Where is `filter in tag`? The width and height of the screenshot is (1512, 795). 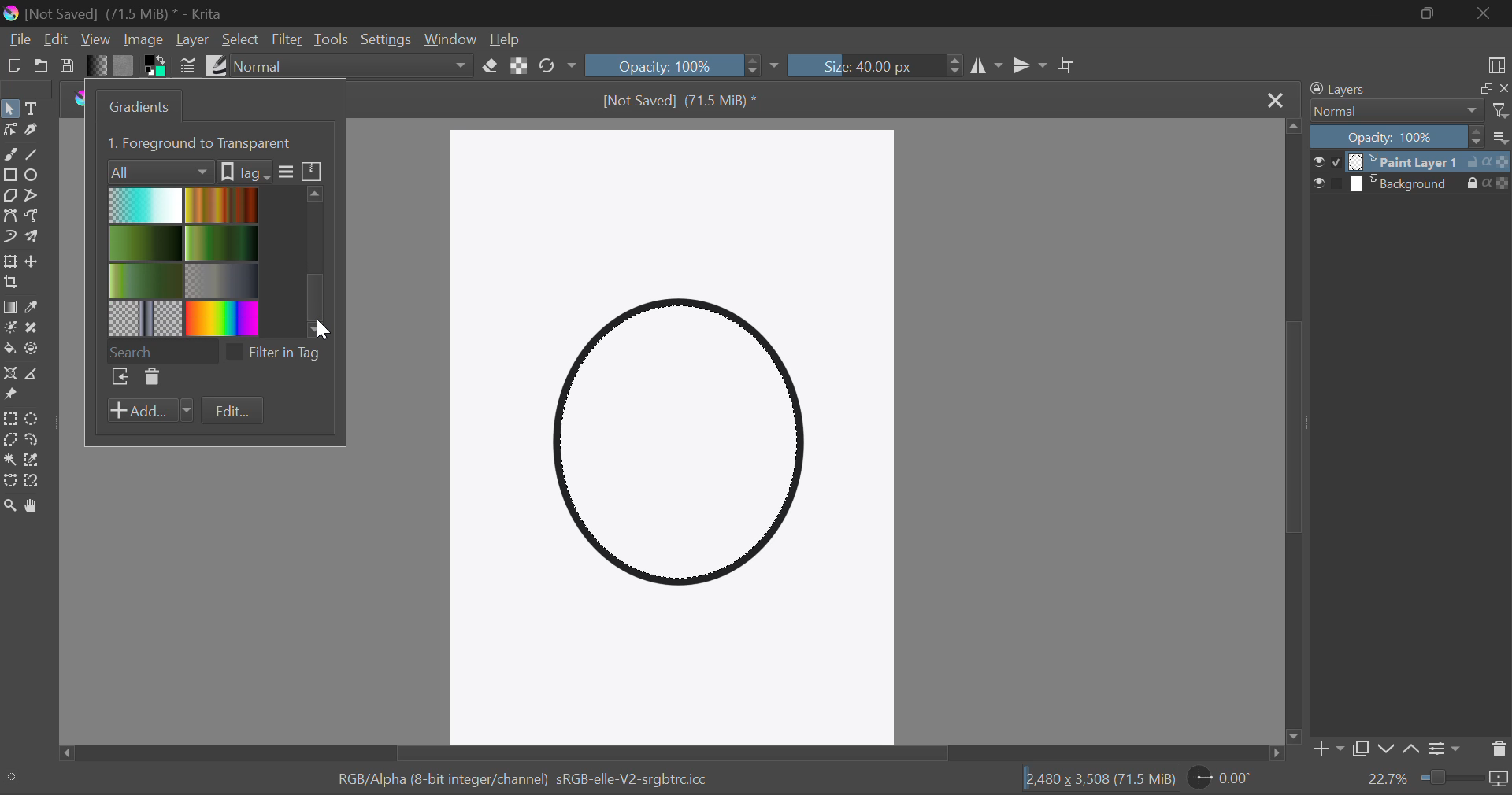 filter in tag is located at coordinates (286, 353).